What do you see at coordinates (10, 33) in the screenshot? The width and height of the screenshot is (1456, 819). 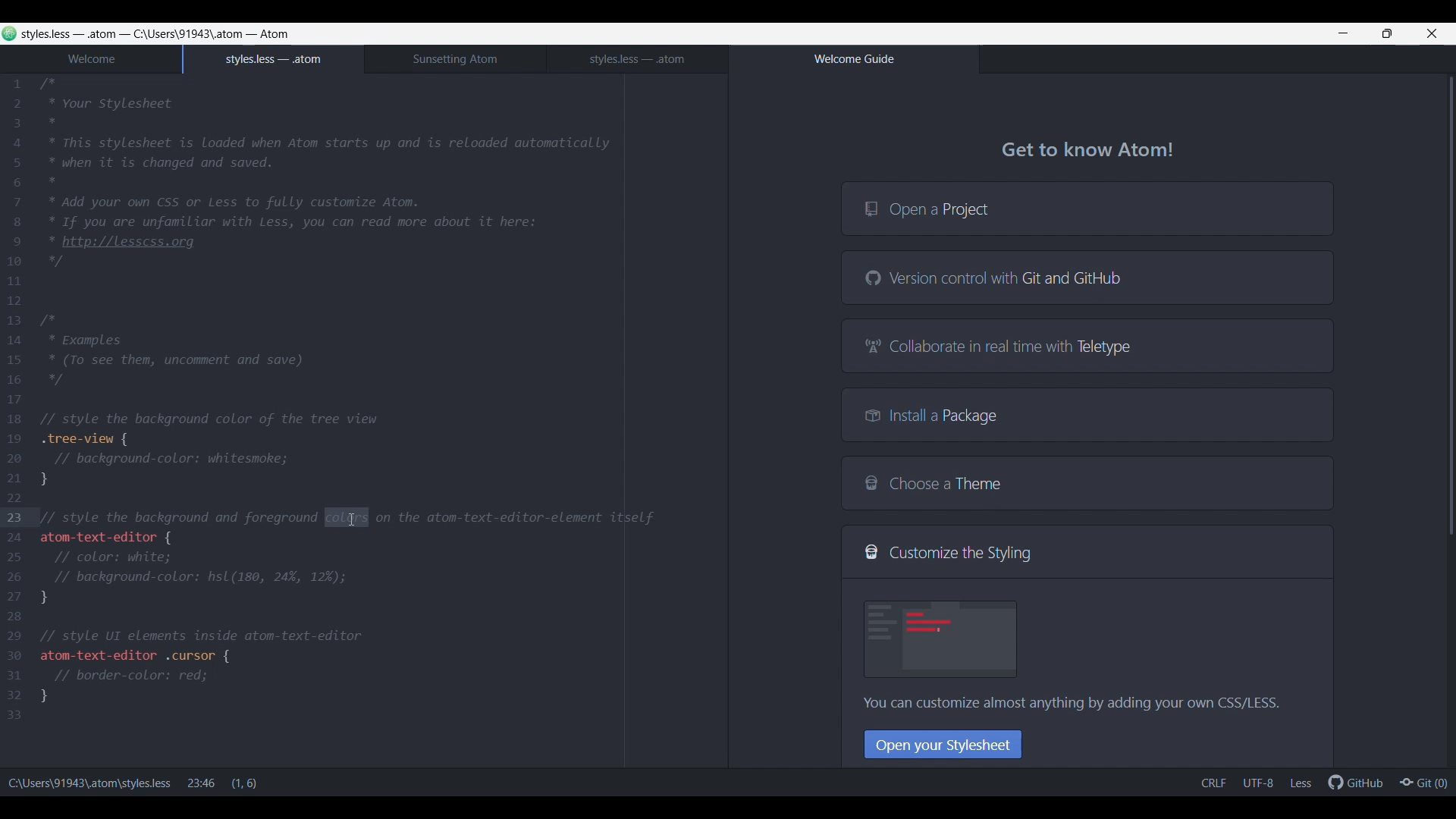 I see `Software logo` at bounding box center [10, 33].